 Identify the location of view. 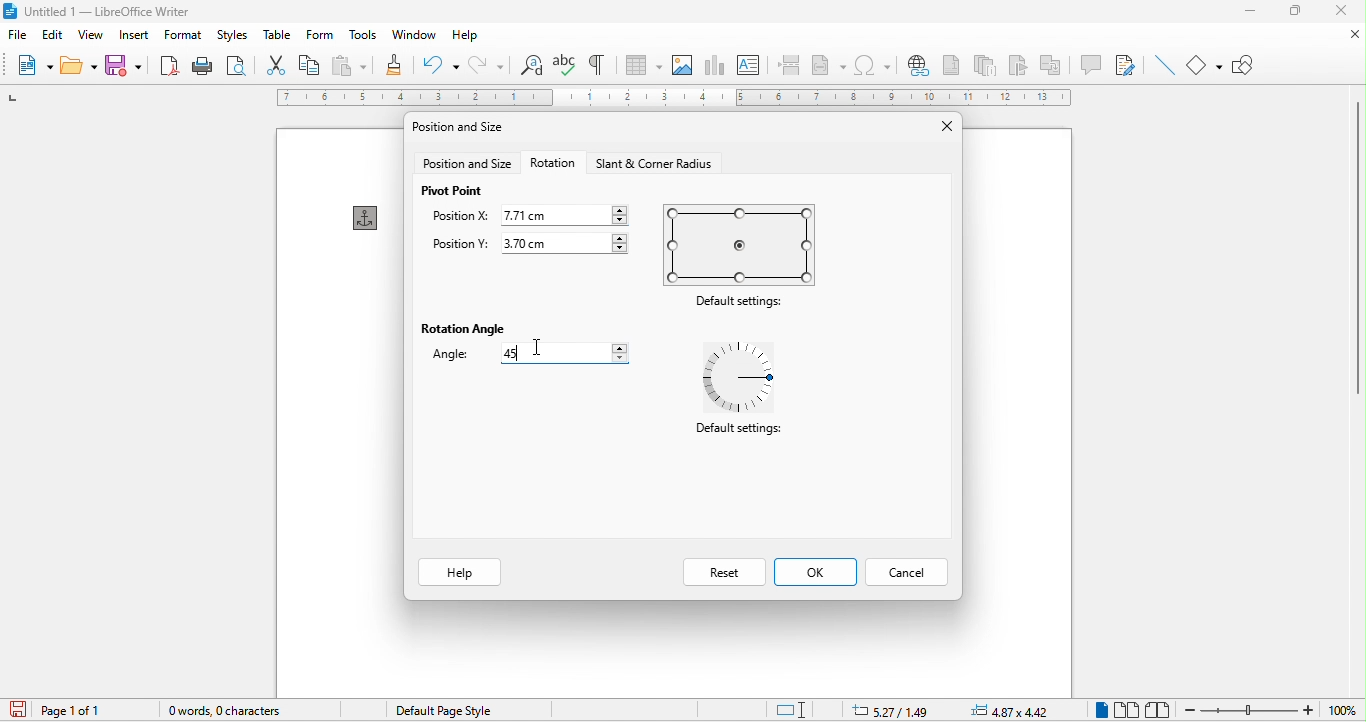
(94, 37).